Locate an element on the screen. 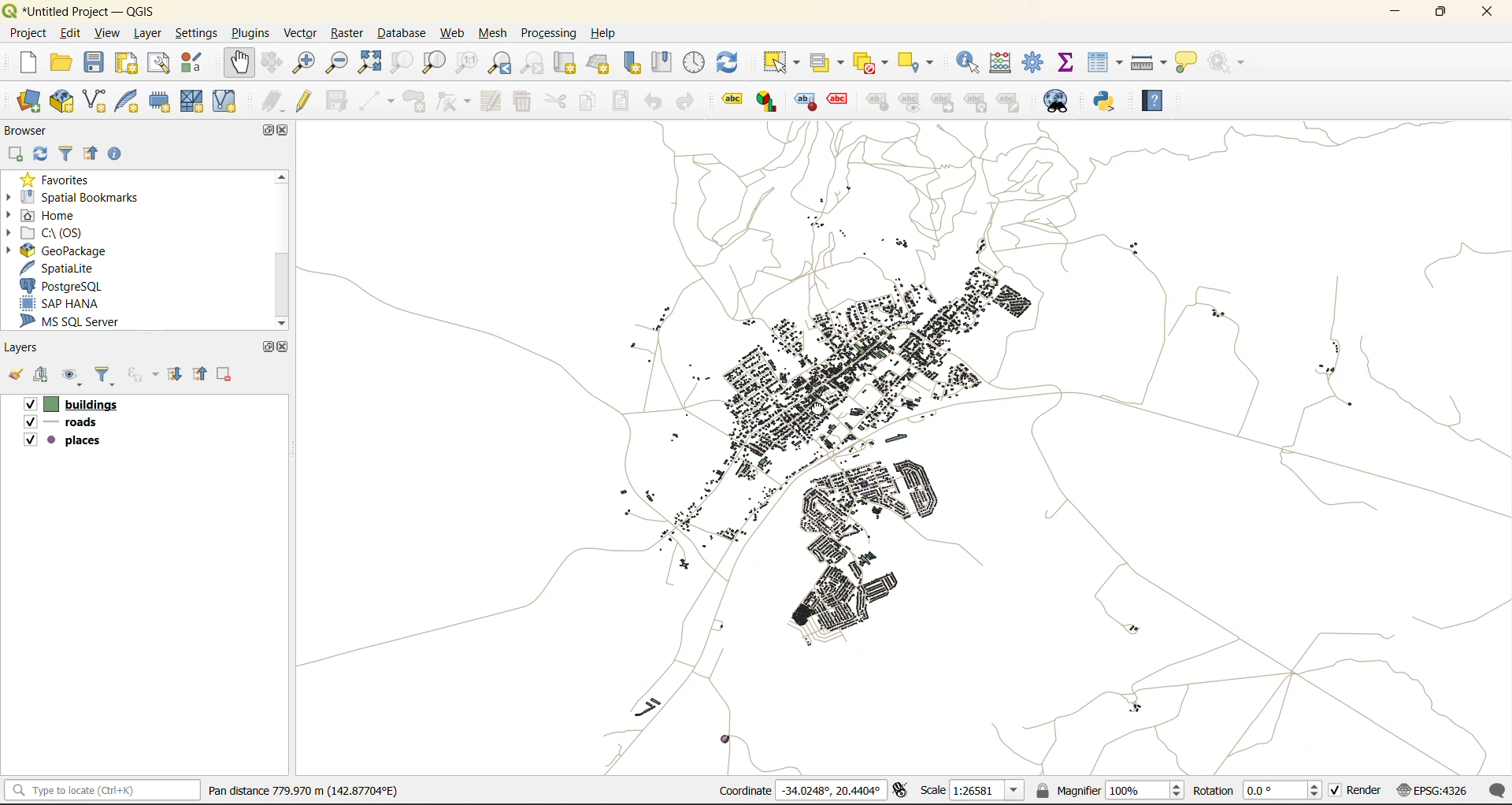  zoom selection is located at coordinates (406, 65).